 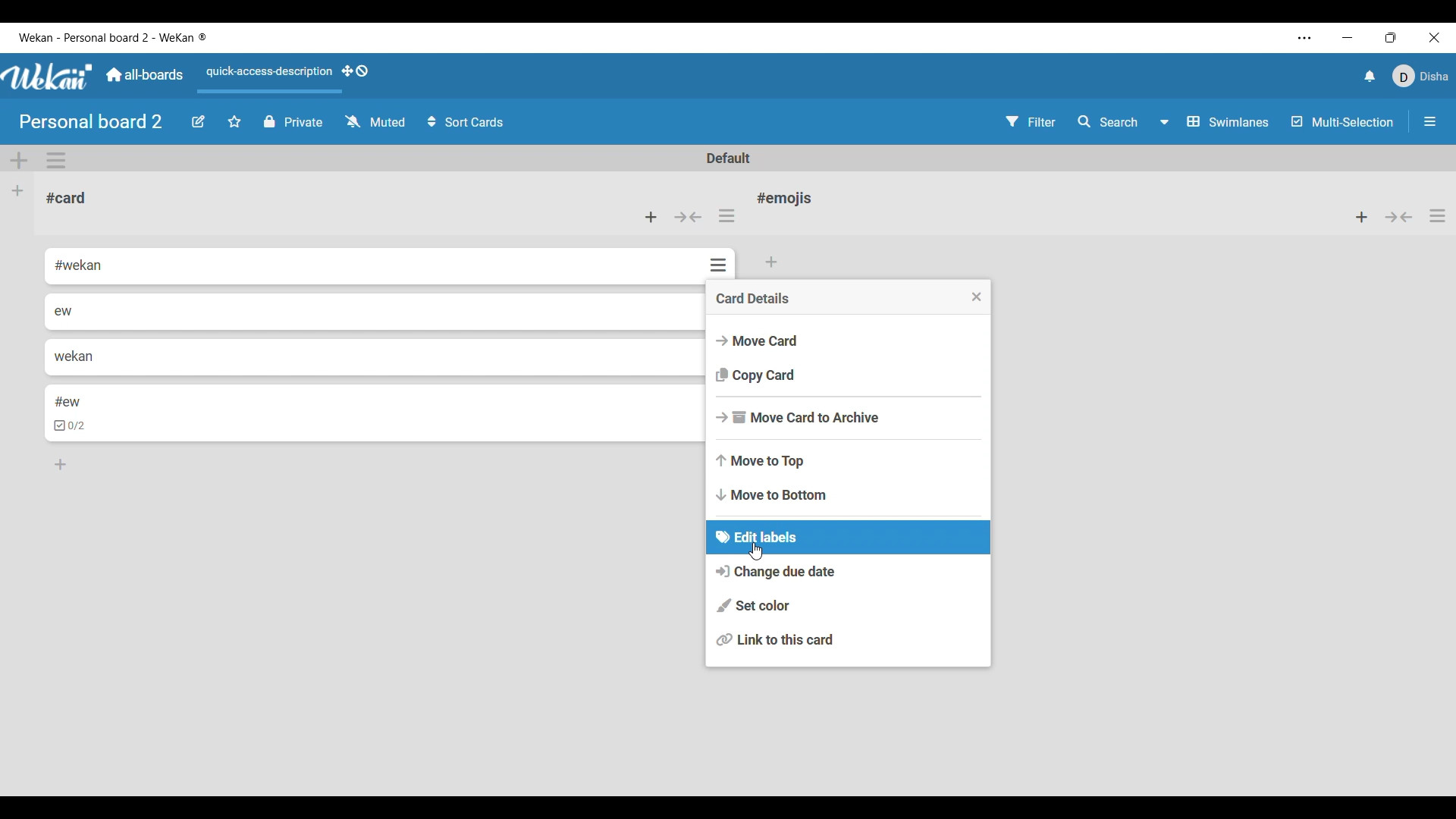 I want to click on Move card to archive, so click(x=848, y=418).